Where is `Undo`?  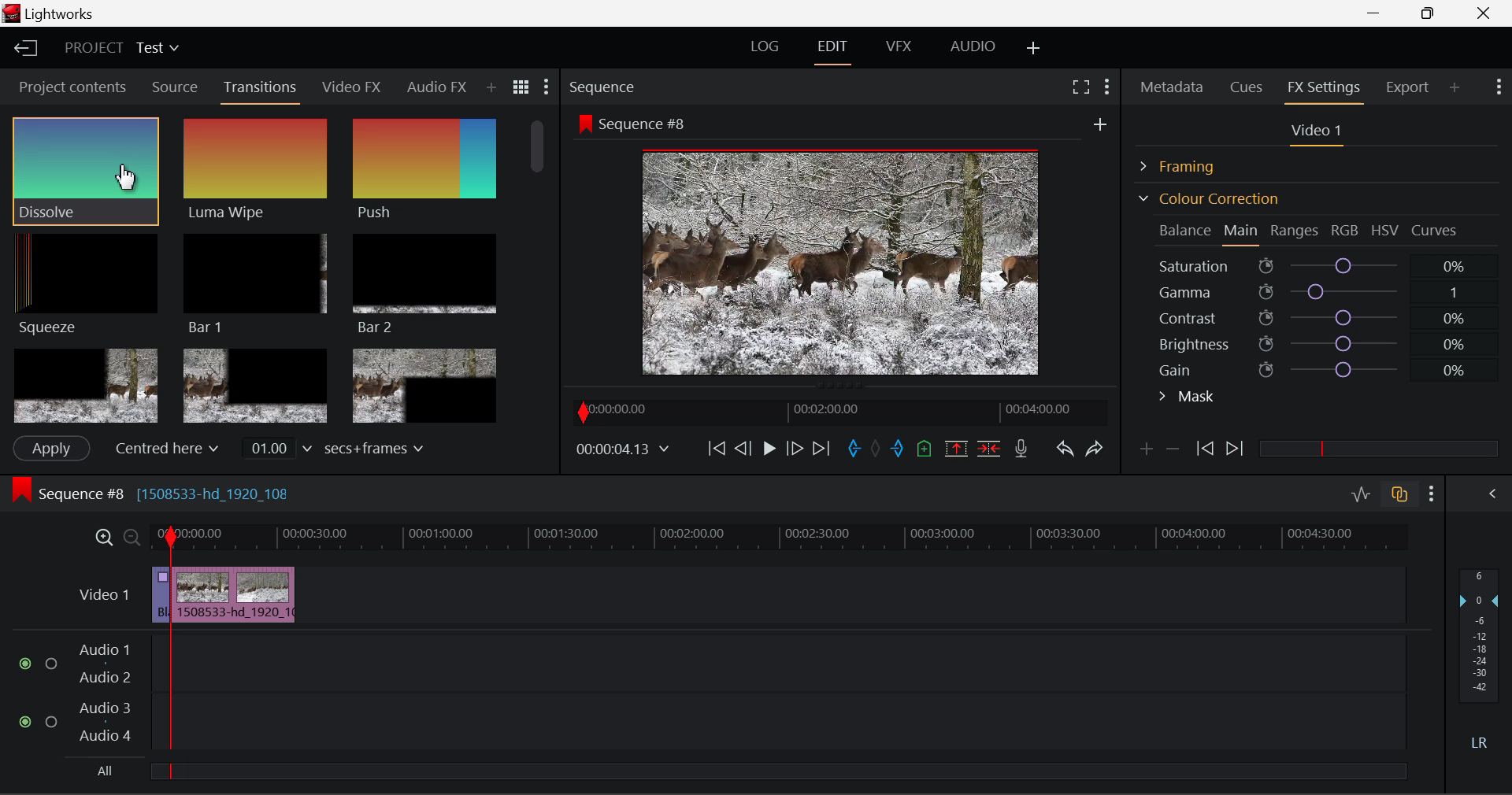
Undo is located at coordinates (1064, 452).